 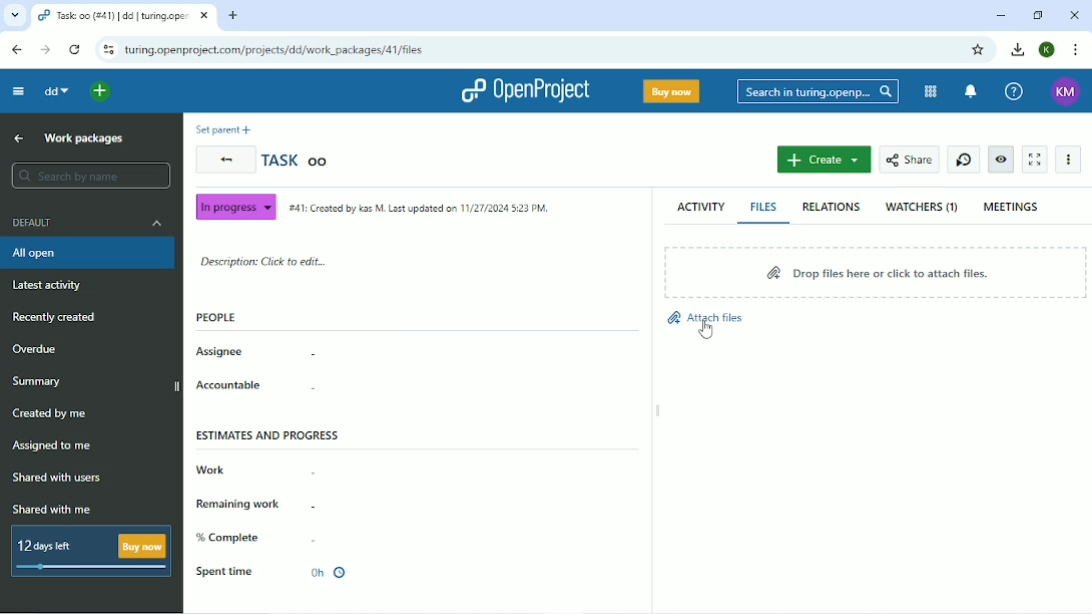 What do you see at coordinates (1001, 15) in the screenshot?
I see `Minimize` at bounding box center [1001, 15].